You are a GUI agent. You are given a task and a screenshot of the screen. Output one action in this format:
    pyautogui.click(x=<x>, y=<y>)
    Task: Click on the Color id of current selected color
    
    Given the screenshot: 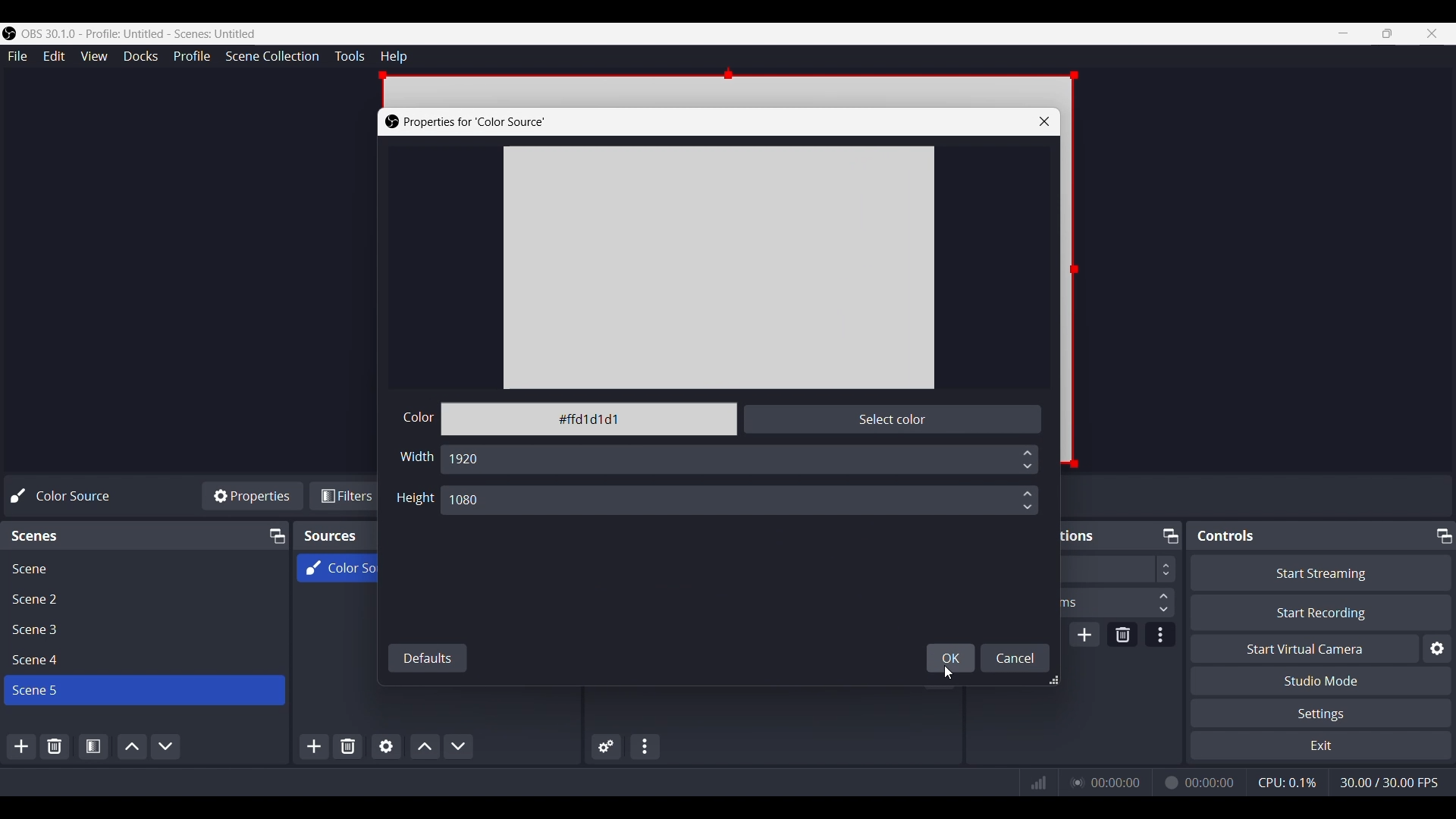 What is the action you would take?
    pyautogui.click(x=590, y=419)
    